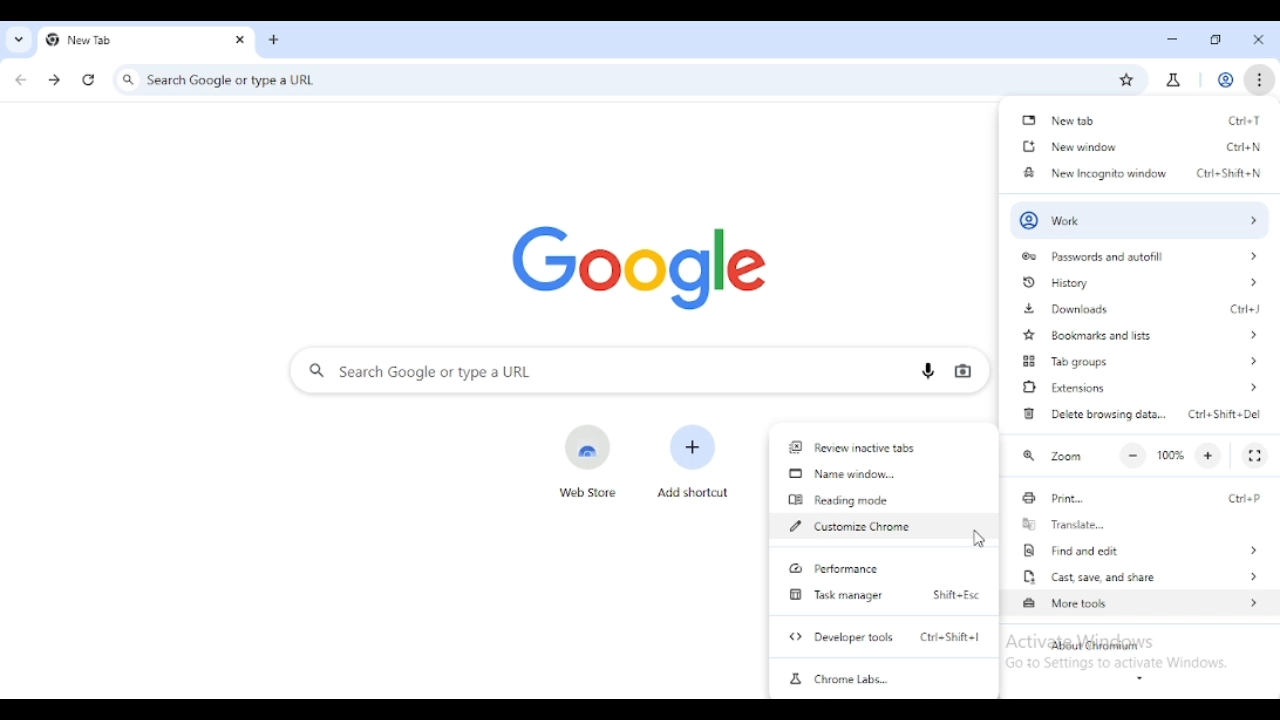 This screenshot has width=1280, height=720. What do you see at coordinates (850, 446) in the screenshot?
I see `review inactive tabs` at bounding box center [850, 446].